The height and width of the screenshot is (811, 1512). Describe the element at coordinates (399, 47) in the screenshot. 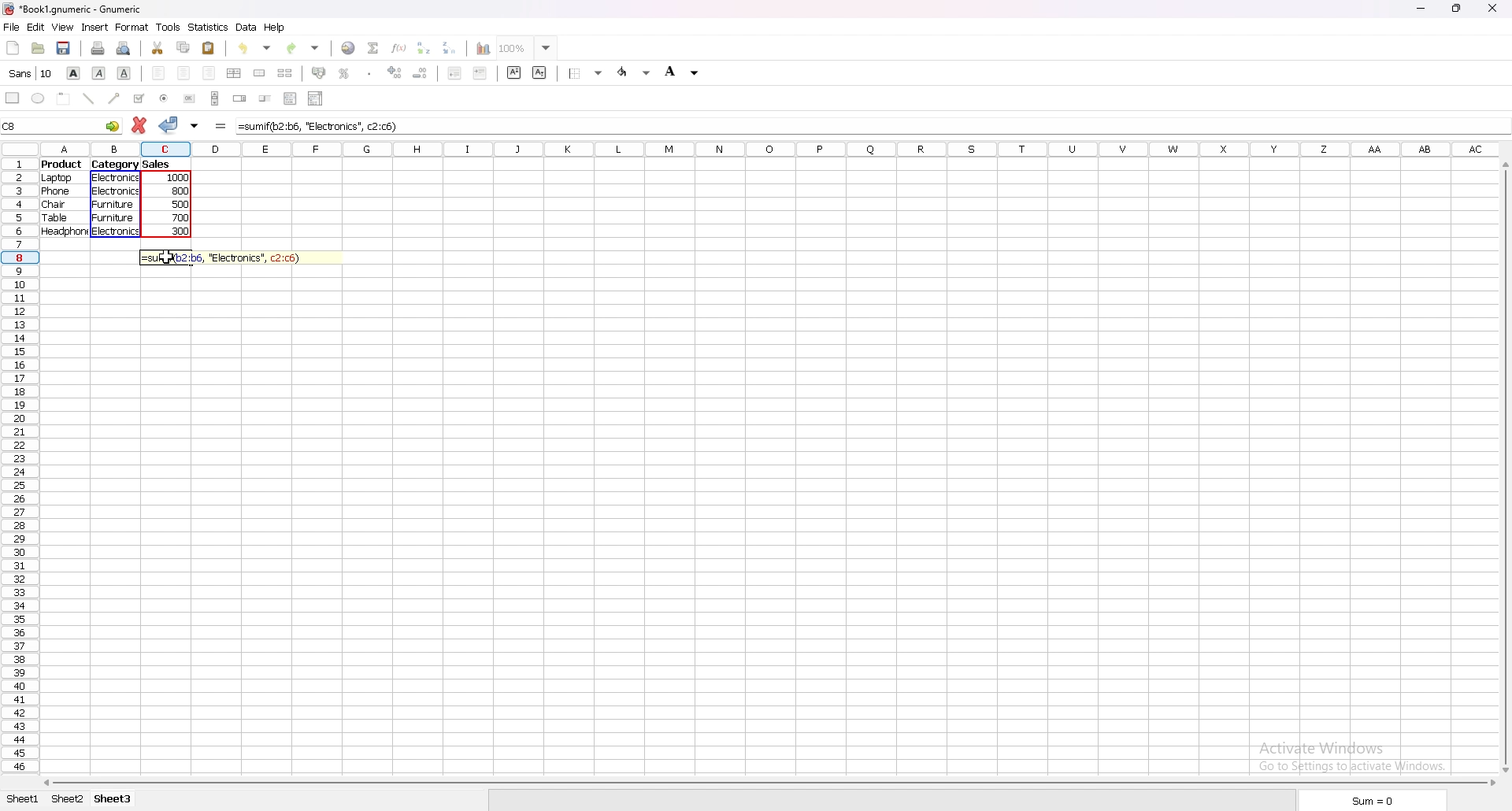

I see `functions` at that location.